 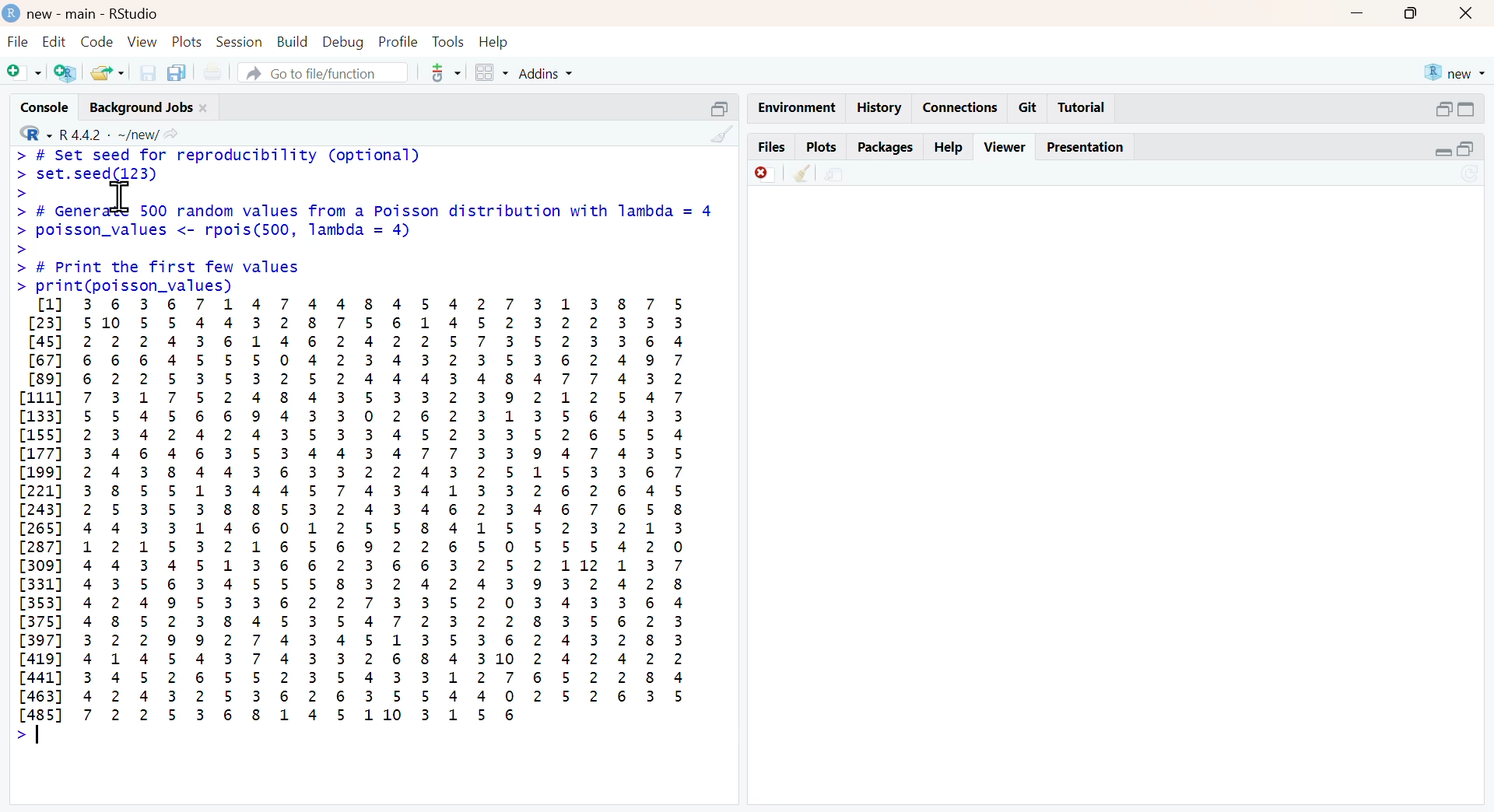 I want to click on sync, so click(x=1470, y=173).